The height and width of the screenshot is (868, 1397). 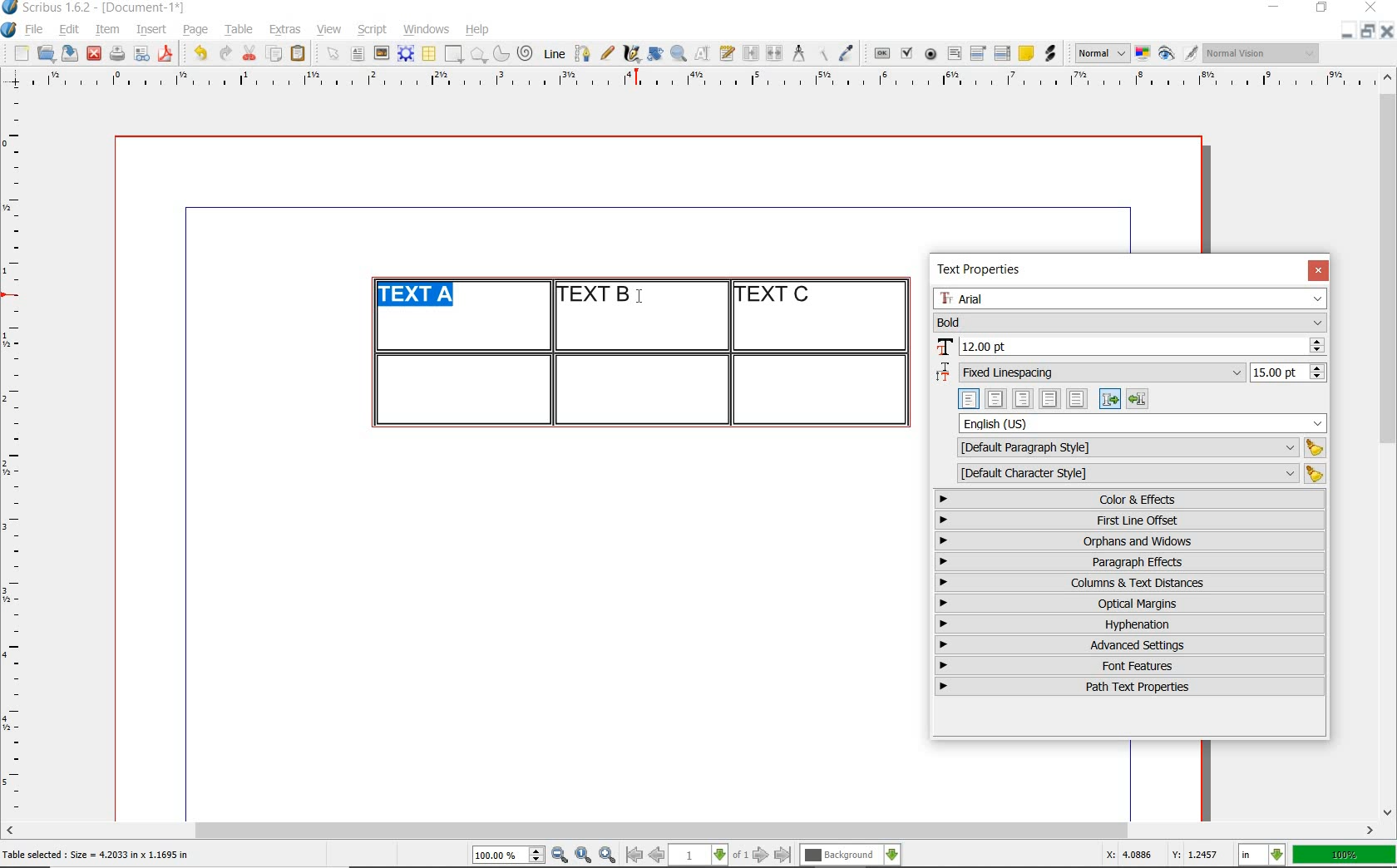 I want to click on pdf push button, so click(x=882, y=54).